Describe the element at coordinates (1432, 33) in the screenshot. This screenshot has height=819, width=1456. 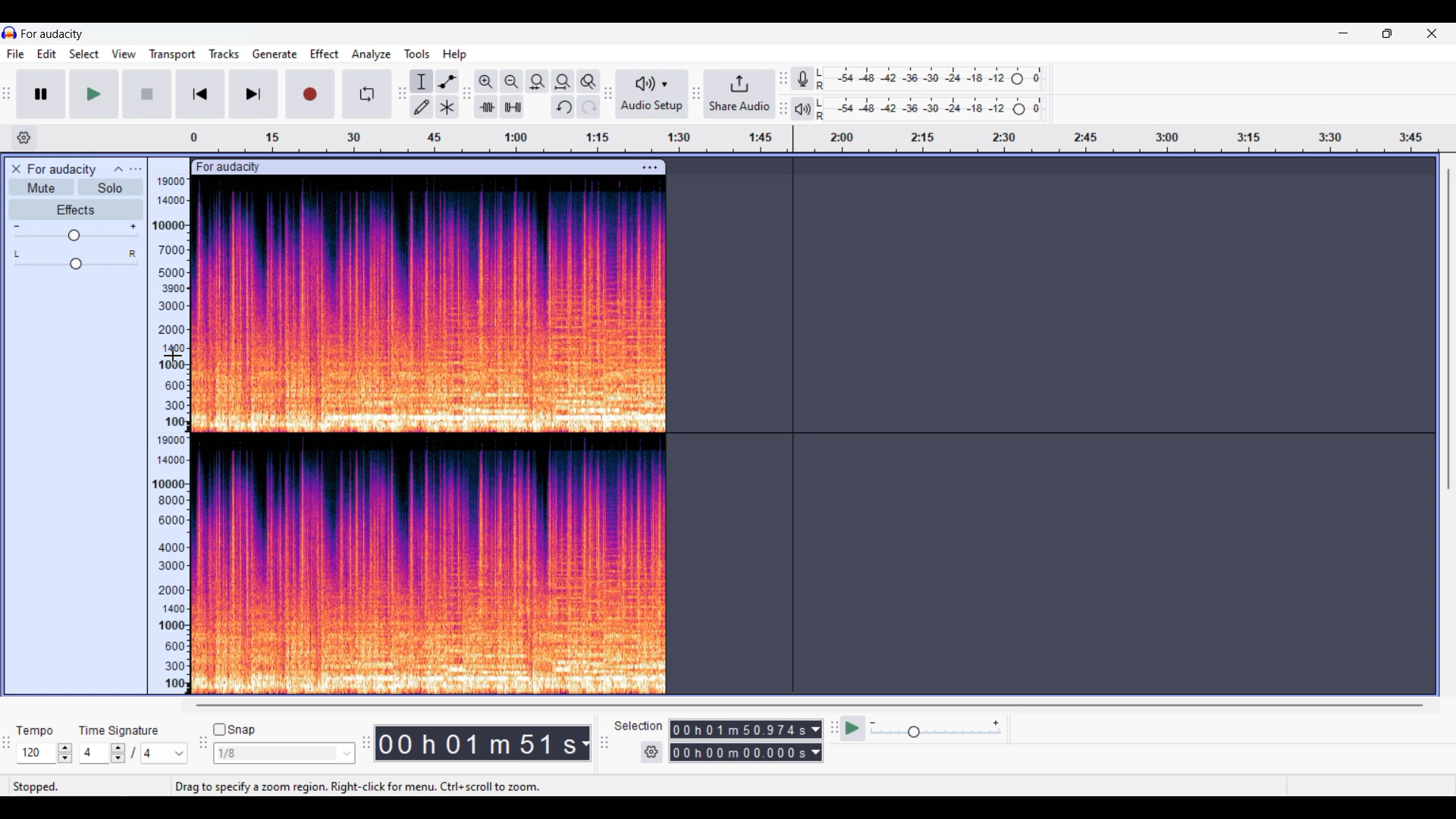
I see `Close interface` at that location.